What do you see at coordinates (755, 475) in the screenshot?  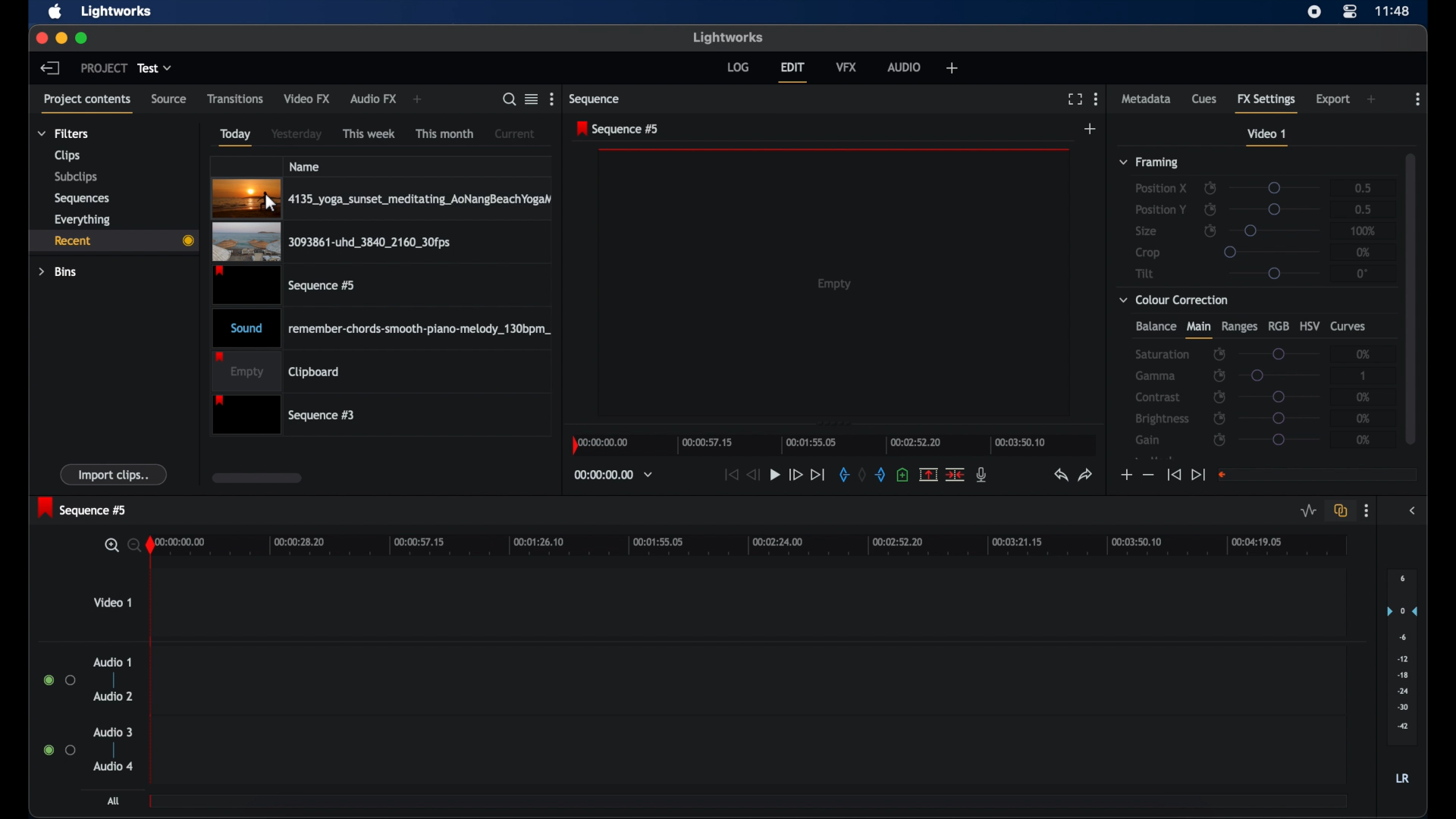 I see `rewind` at bounding box center [755, 475].